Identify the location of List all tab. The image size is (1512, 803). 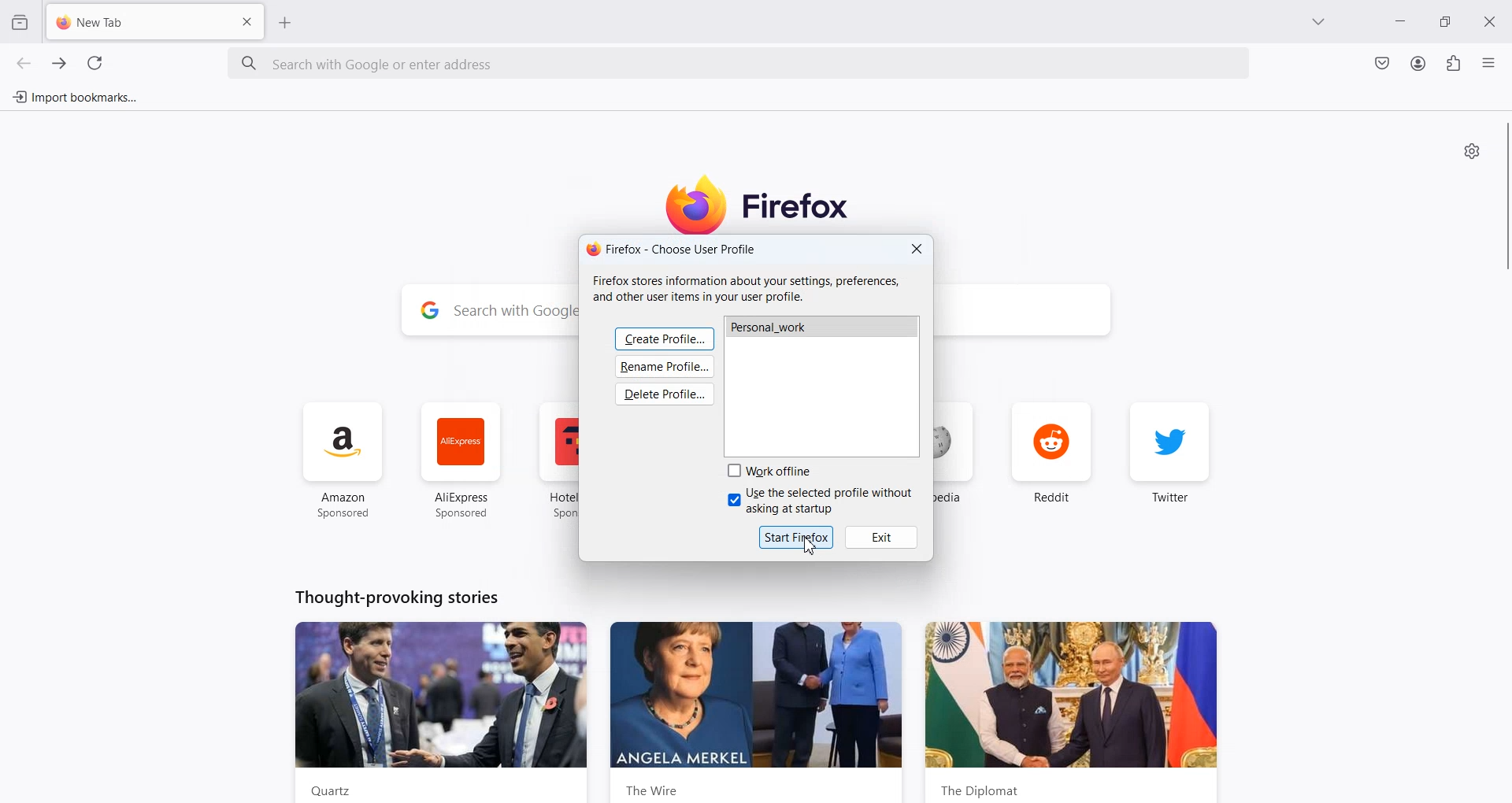
(1319, 23).